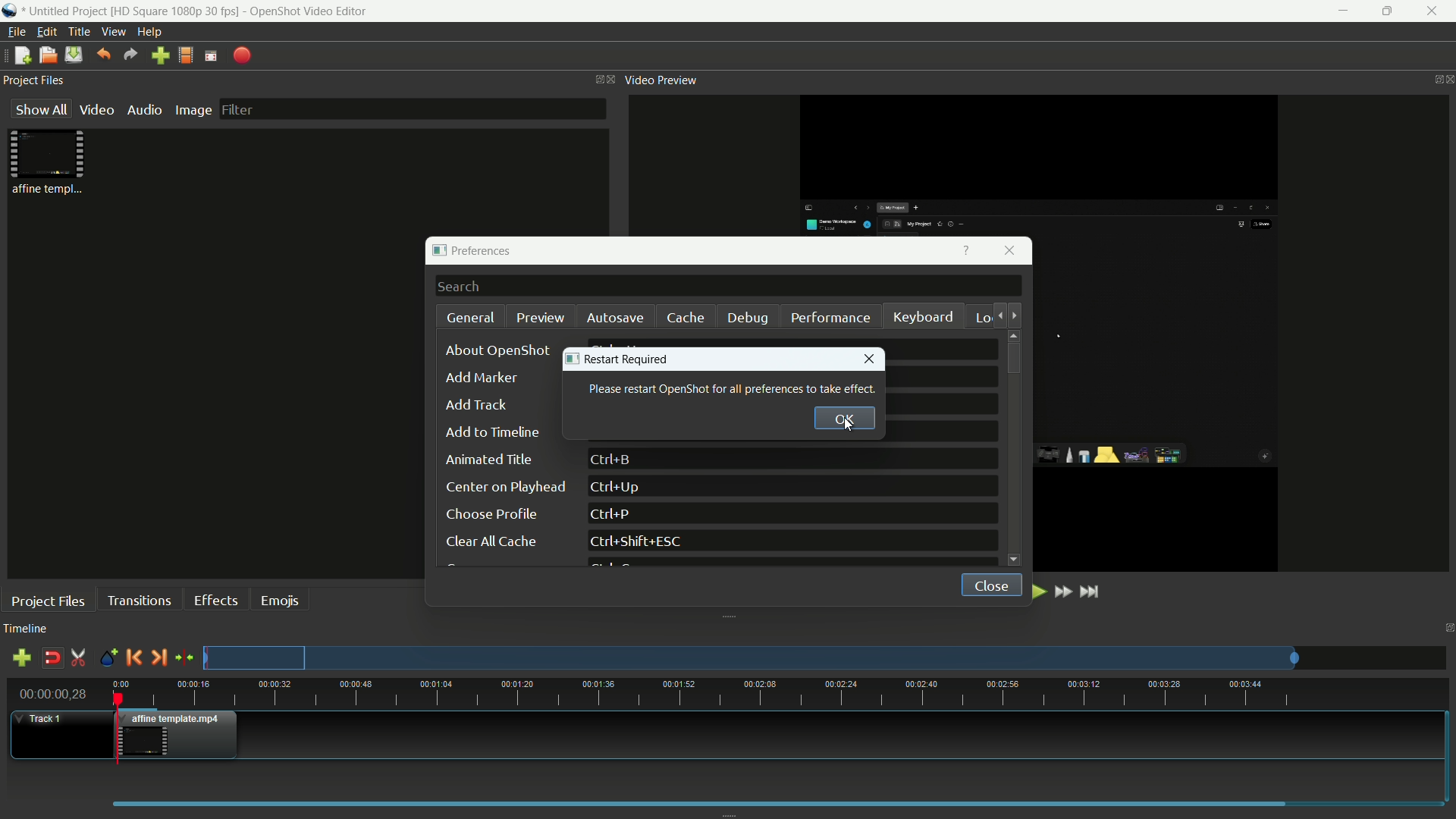 Image resolution: width=1456 pixels, height=819 pixels. I want to click on center on playhead, so click(504, 487).